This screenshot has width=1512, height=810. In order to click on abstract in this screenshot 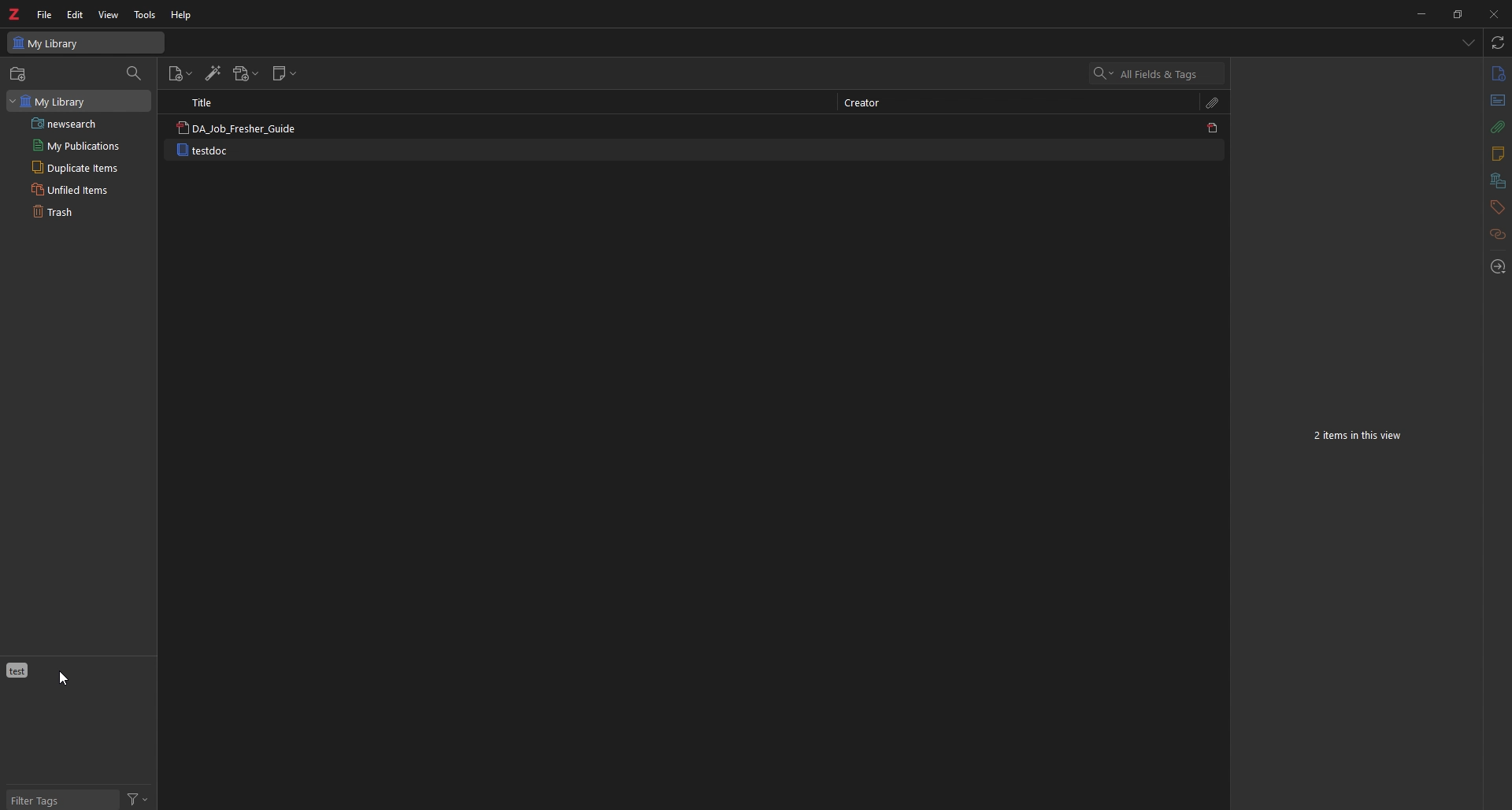, I will do `click(1499, 100)`.